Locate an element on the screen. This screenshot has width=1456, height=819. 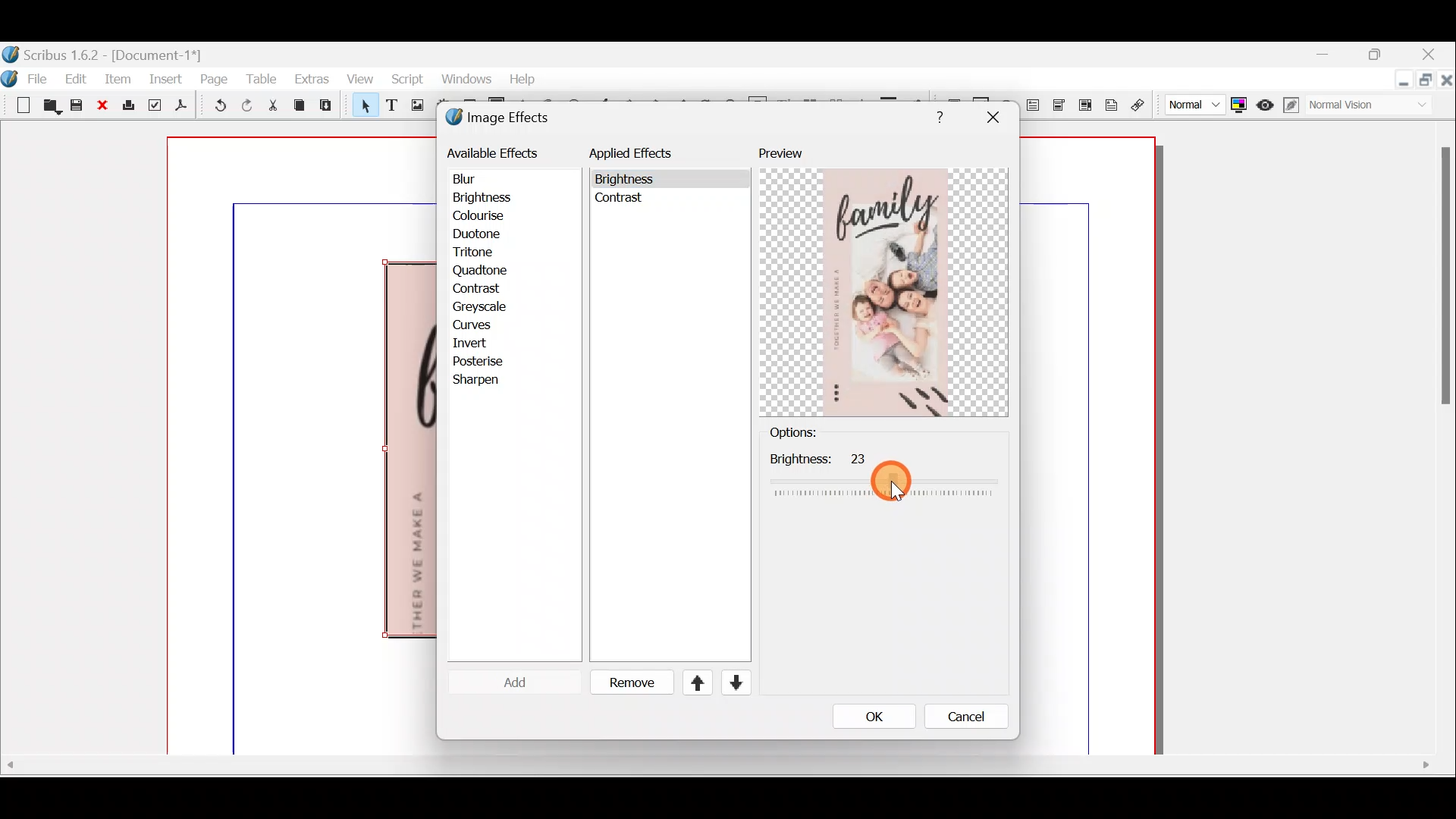
Insert is located at coordinates (165, 78).